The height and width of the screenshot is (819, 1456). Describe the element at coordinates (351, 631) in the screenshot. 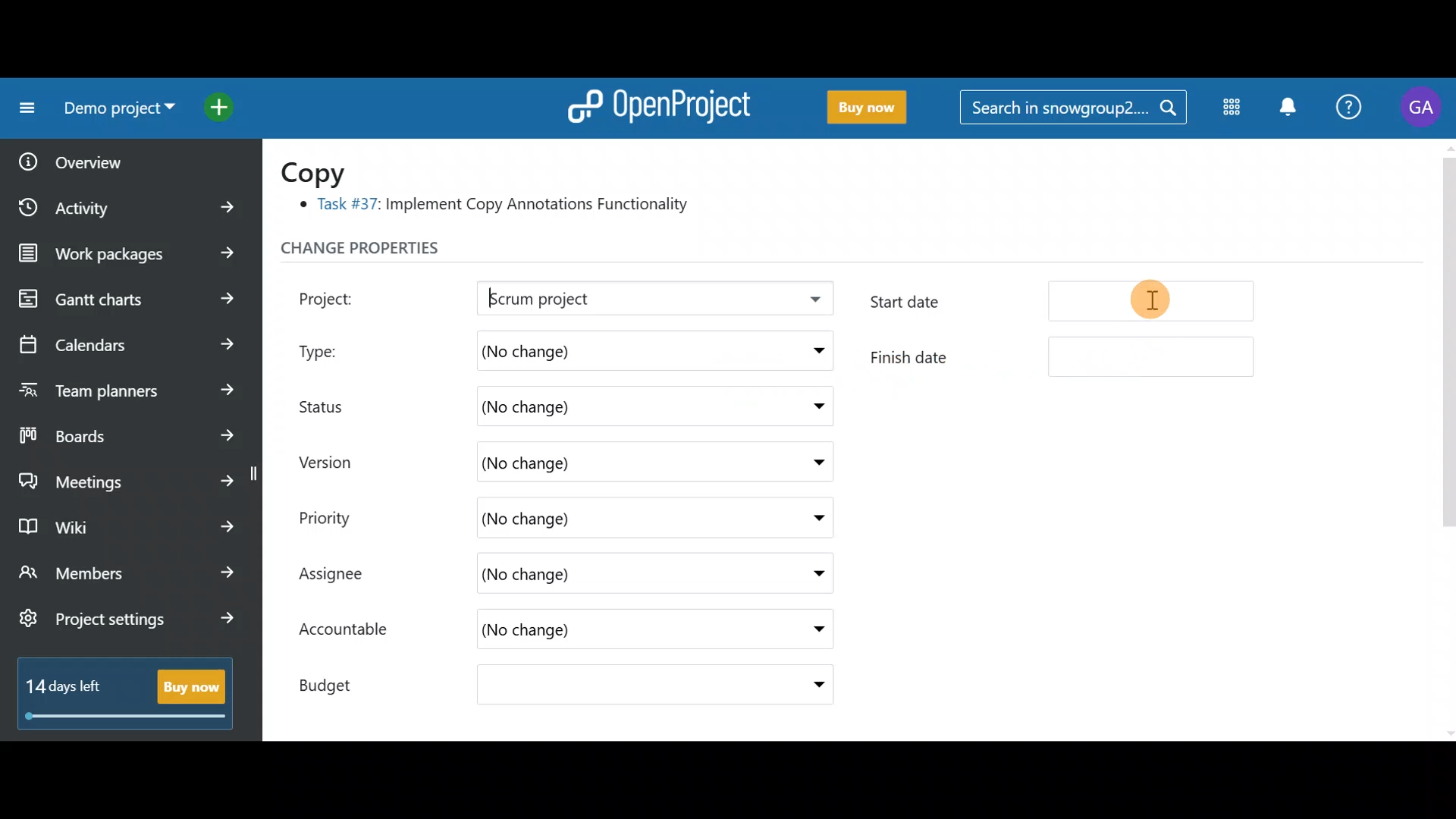

I see `Accountable` at that location.